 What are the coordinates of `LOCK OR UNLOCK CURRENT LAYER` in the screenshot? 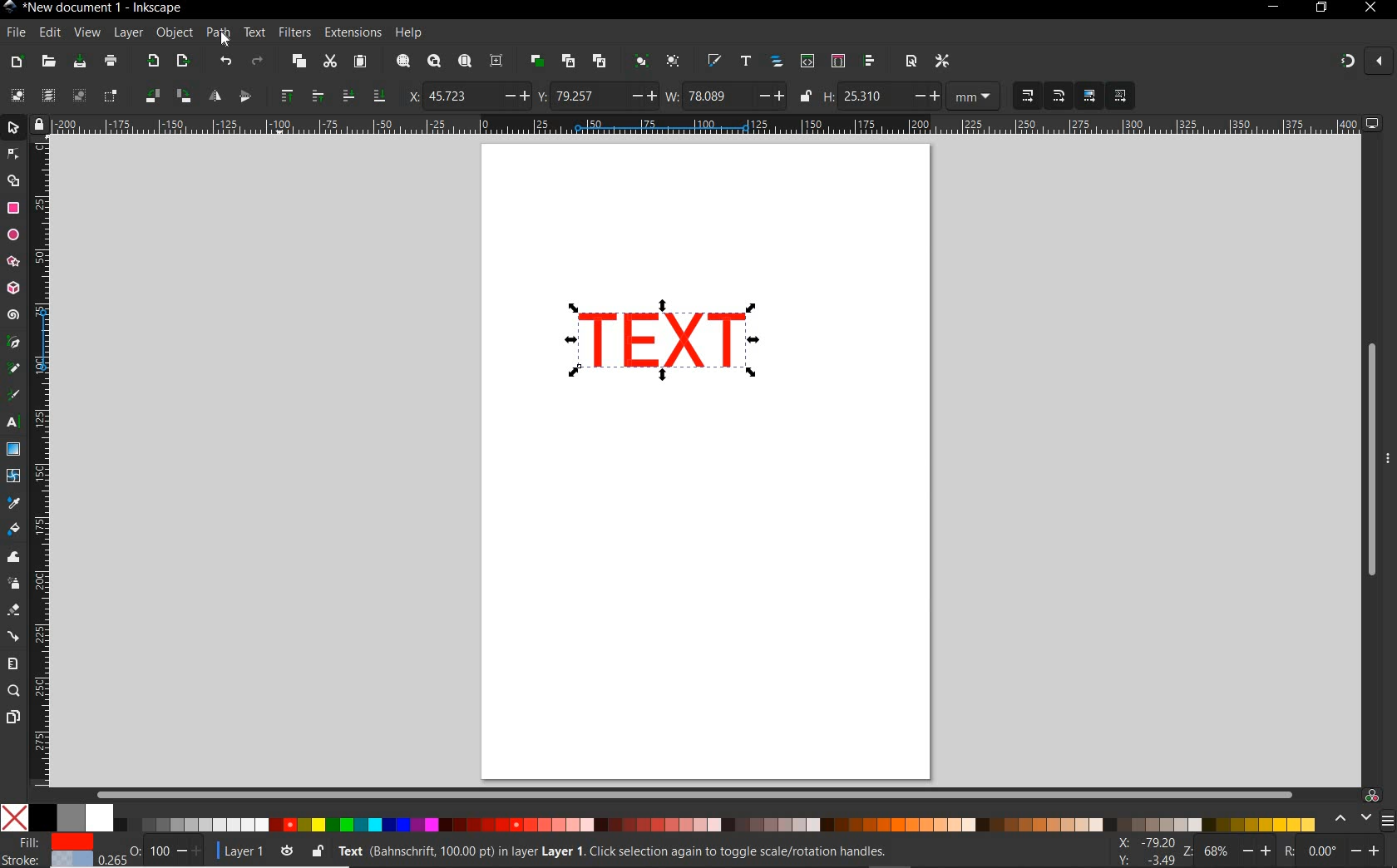 It's located at (317, 853).